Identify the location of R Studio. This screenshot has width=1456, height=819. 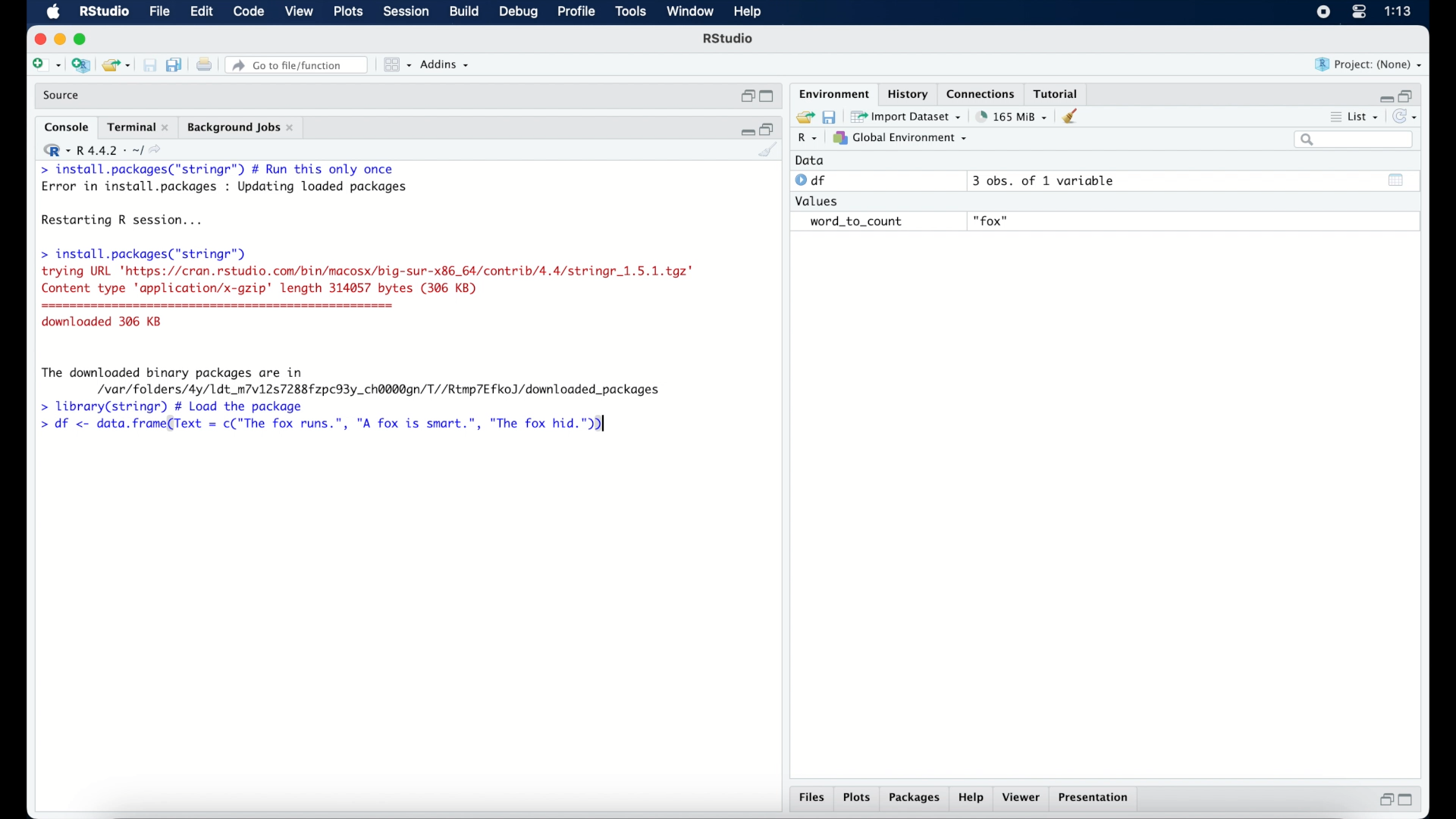
(103, 12).